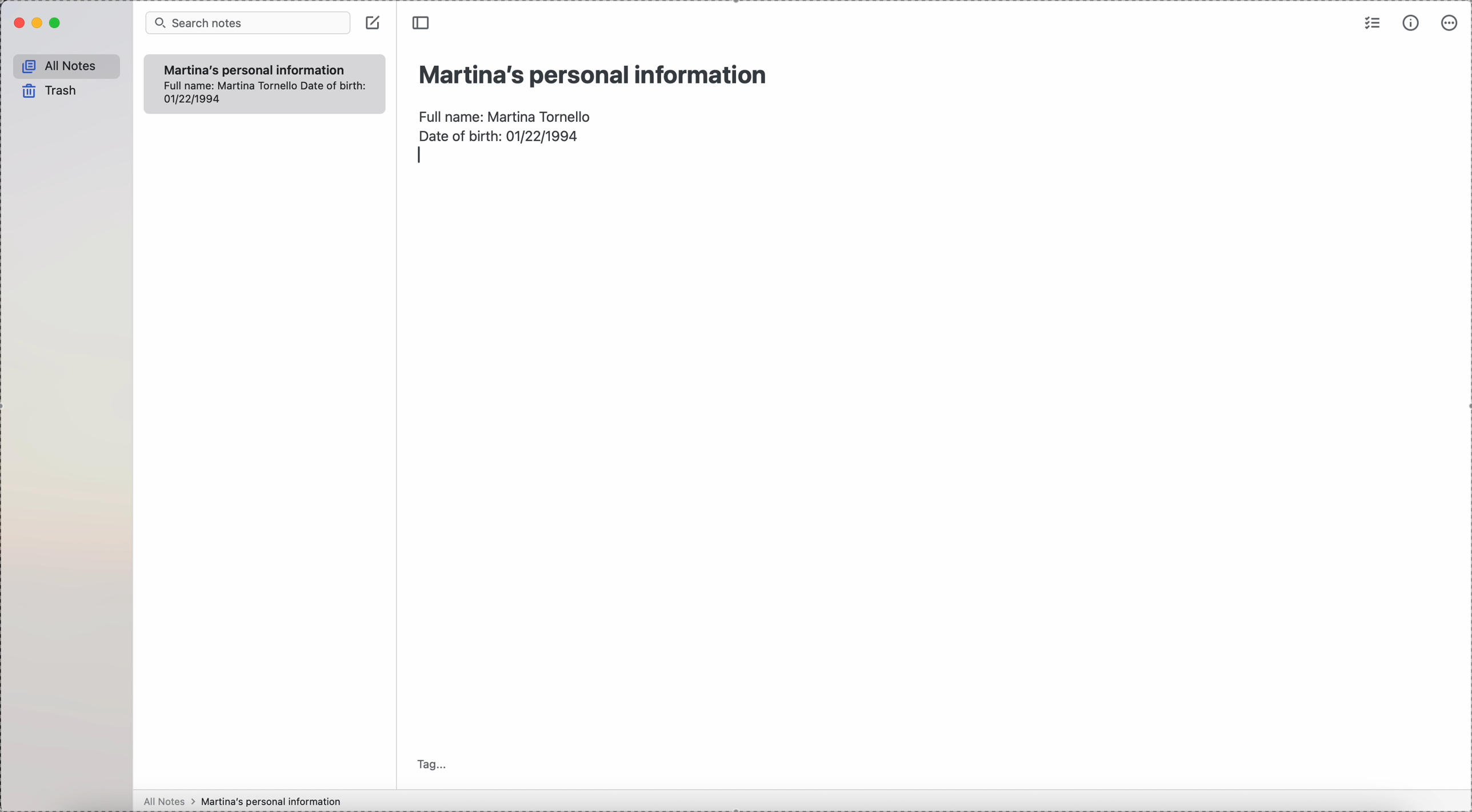  Describe the element at coordinates (591, 74) in the screenshot. I see `title: Martina's personal information` at that location.